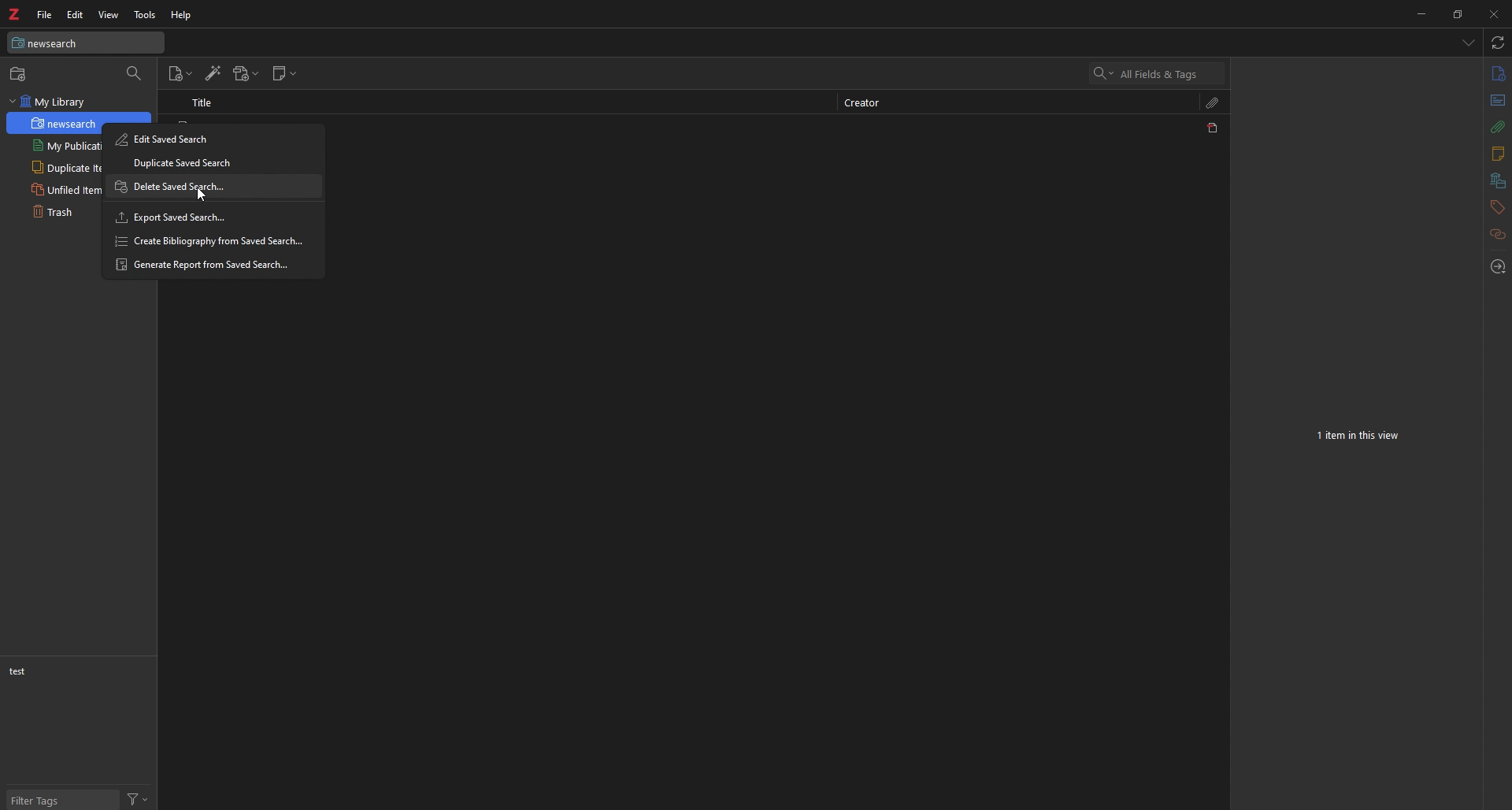 The width and height of the screenshot is (1512, 810). What do you see at coordinates (1496, 154) in the screenshot?
I see `notes` at bounding box center [1496, 154].